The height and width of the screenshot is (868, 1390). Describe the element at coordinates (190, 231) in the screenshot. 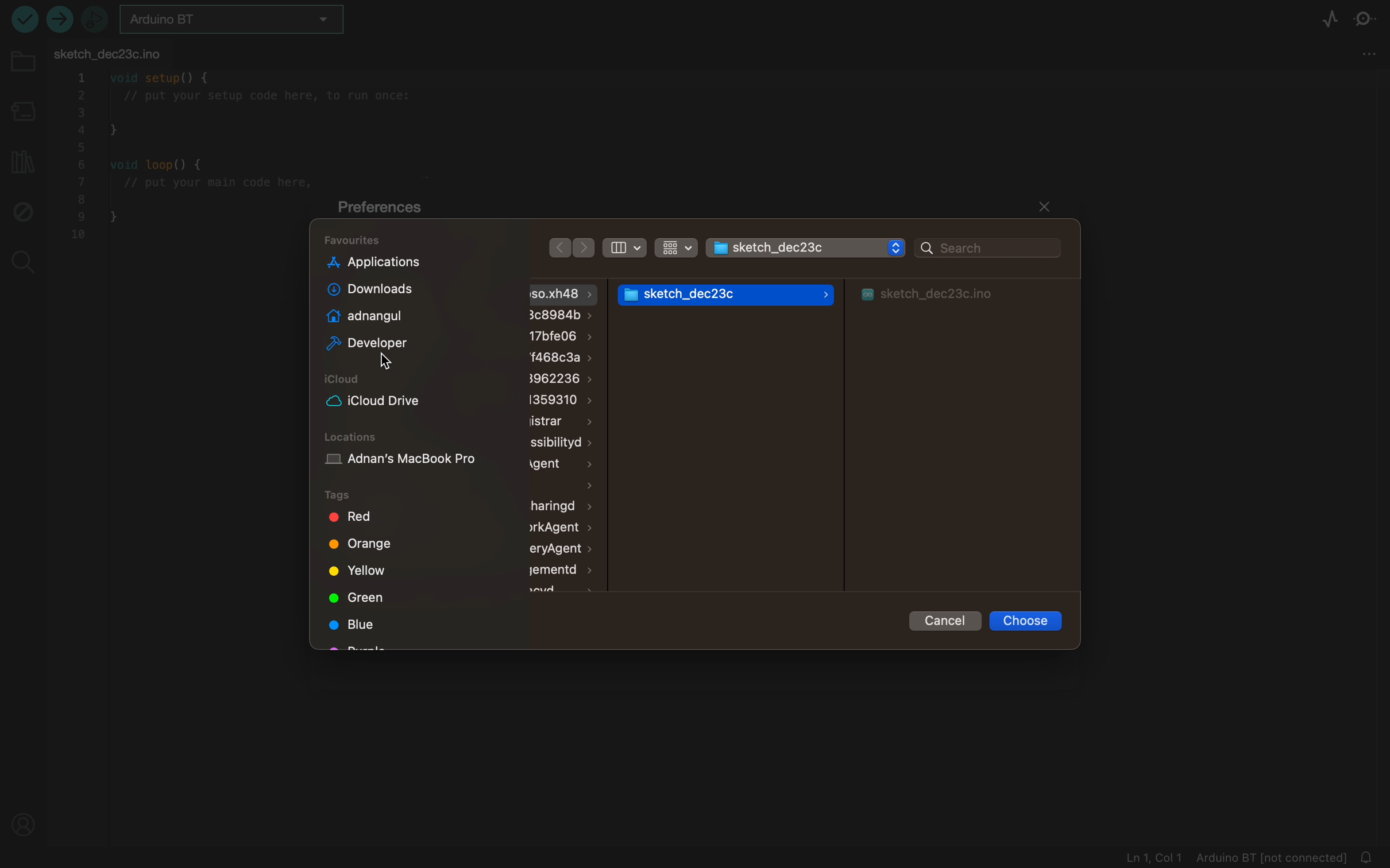

I see `file code` at that location.